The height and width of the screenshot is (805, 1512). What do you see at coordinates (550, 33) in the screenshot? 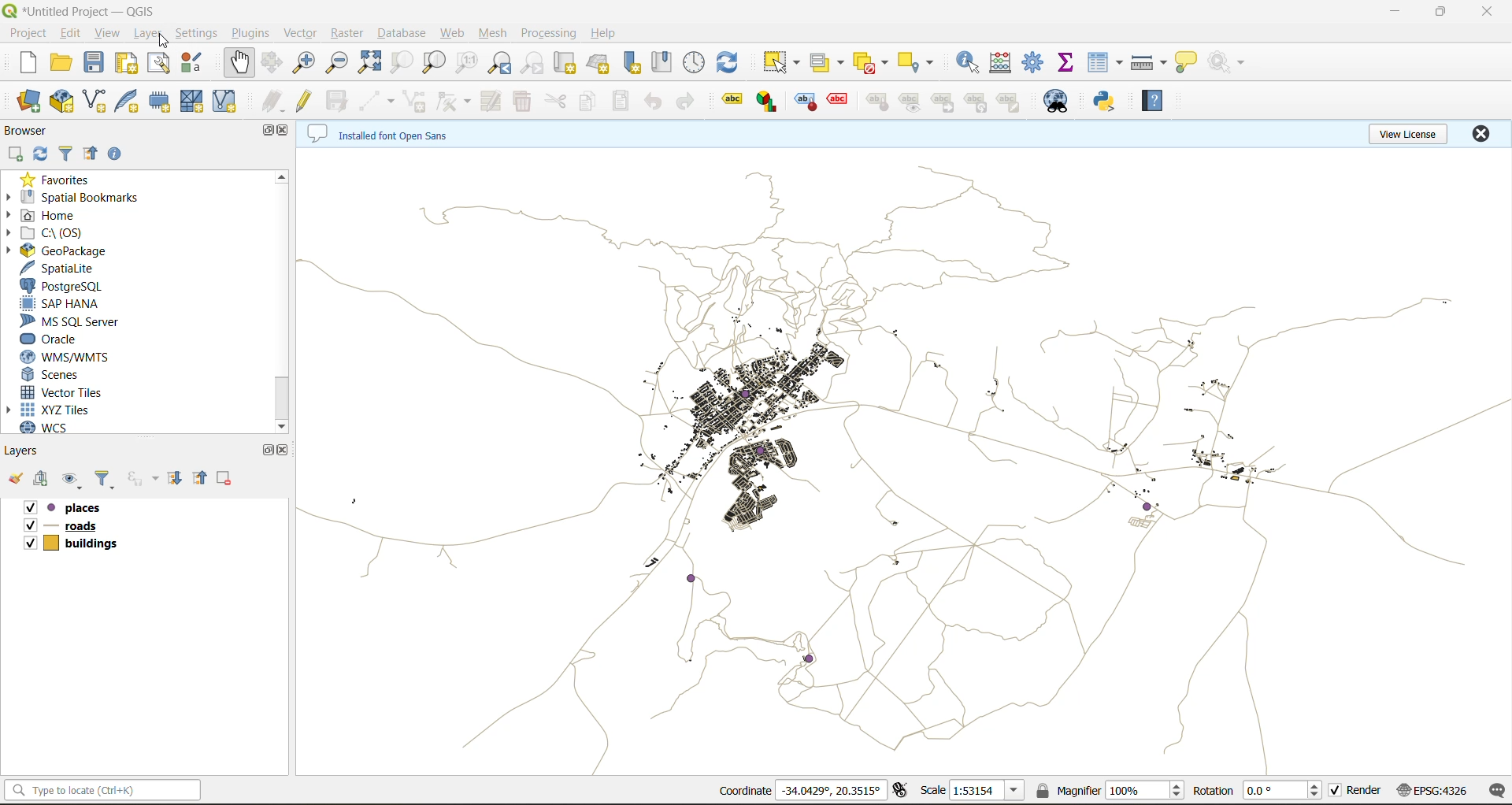
I see `processing` at bounding box center [550, 33].